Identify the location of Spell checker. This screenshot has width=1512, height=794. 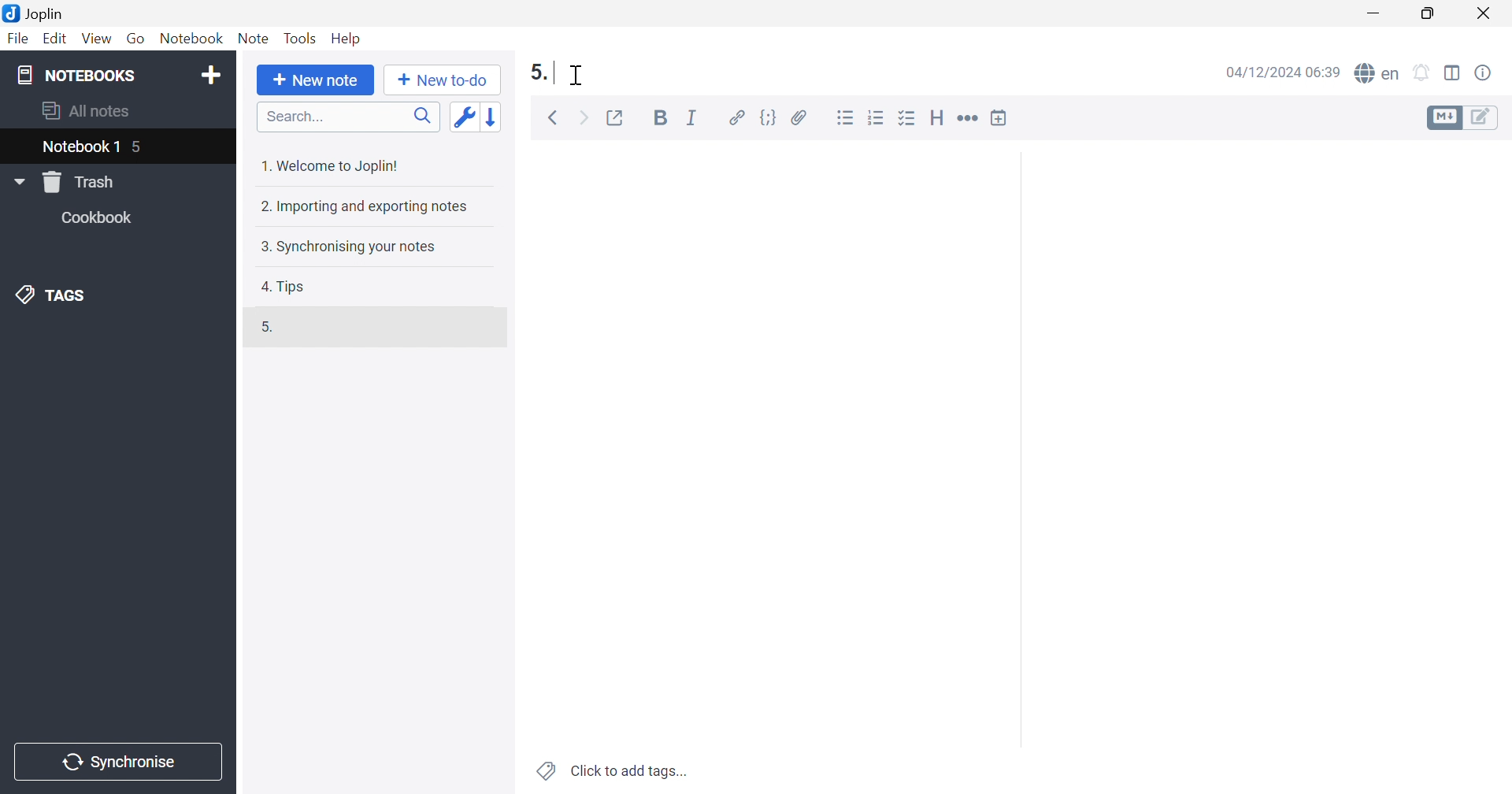
(1377, 72).